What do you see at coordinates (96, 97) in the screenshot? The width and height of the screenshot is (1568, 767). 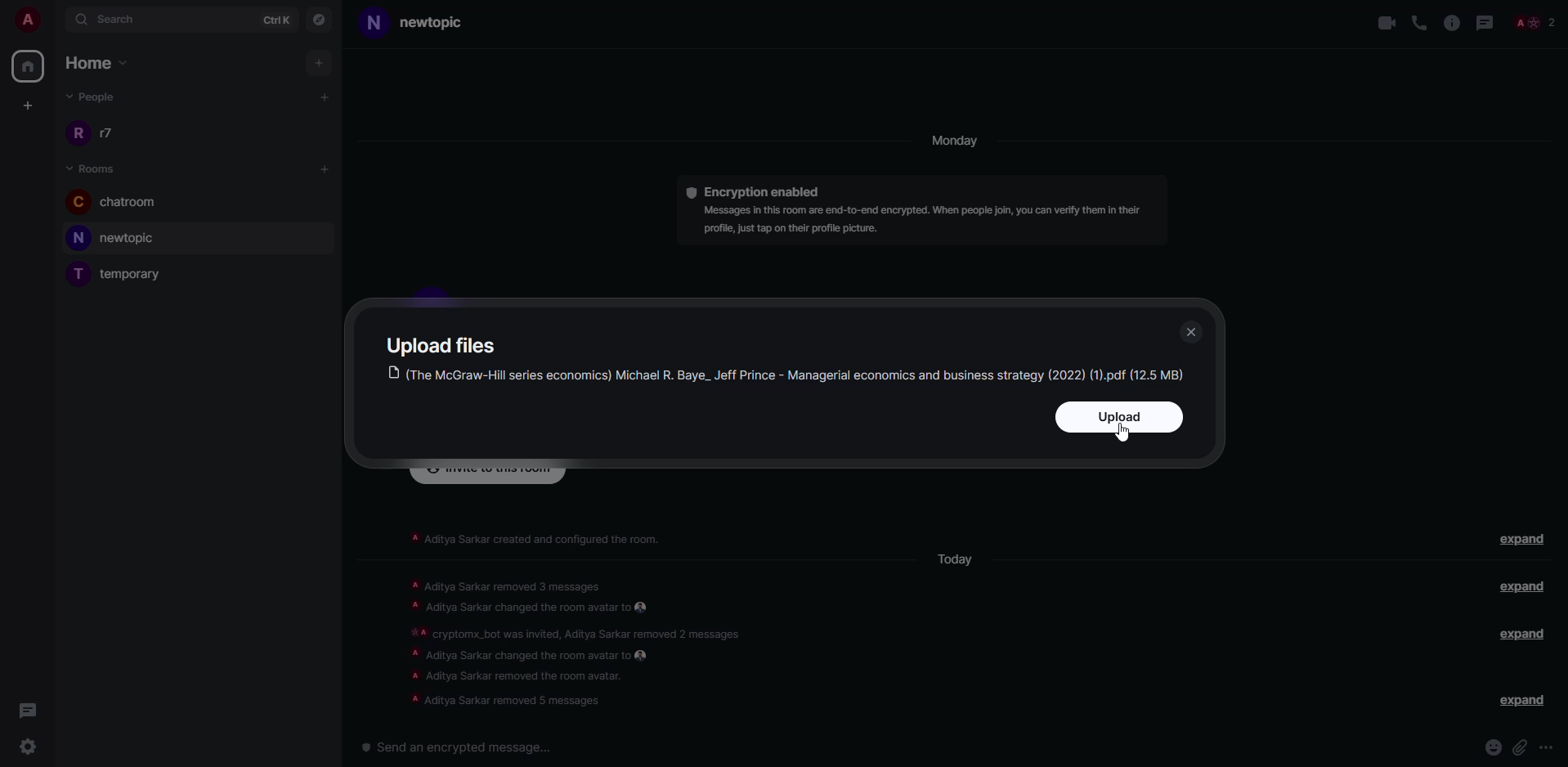 I see `people` at bounding box center [96, 97].